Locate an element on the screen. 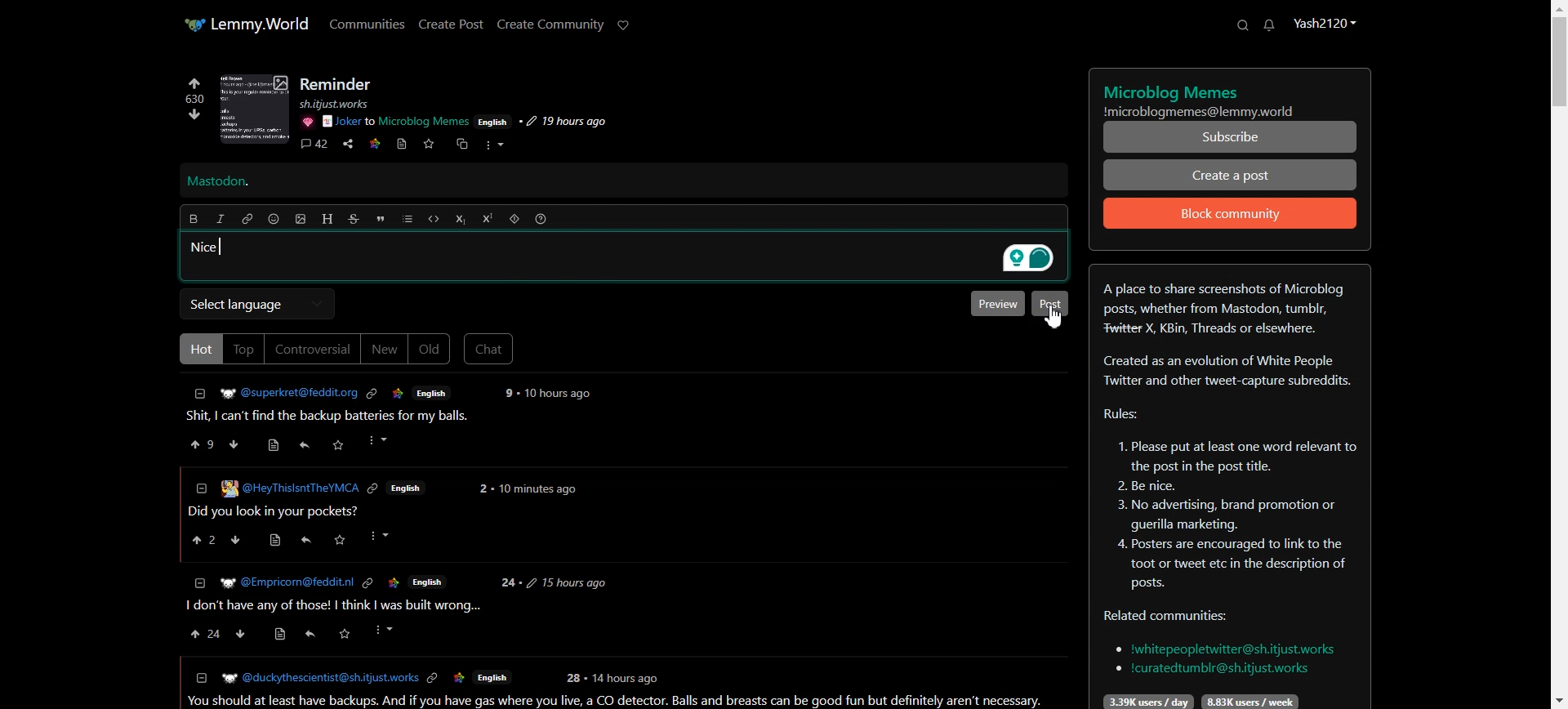 The image size is (1568, 709). =) is located at coordinates (277, 443).